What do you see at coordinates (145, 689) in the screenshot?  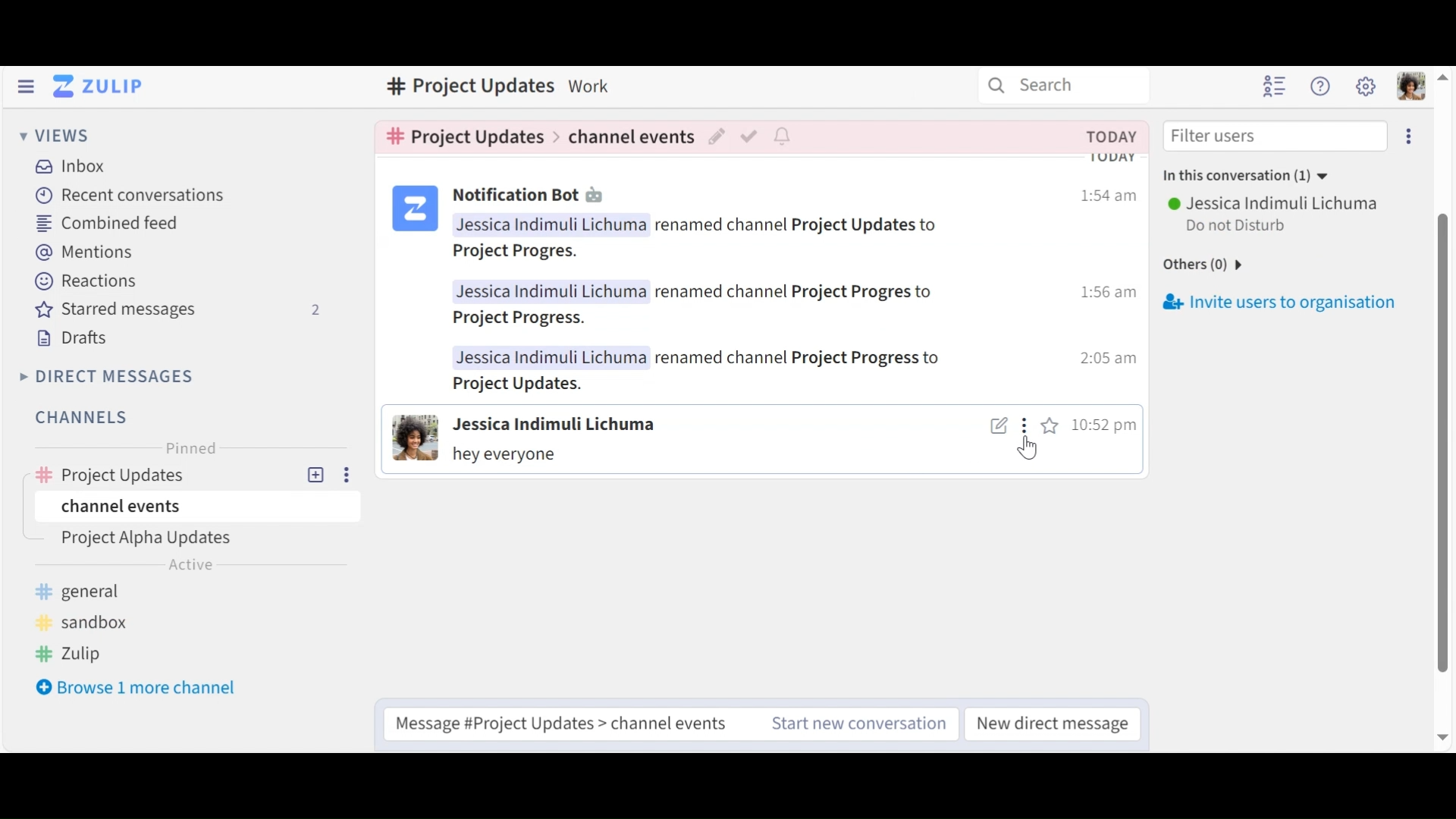 I see `Bowser 1 more channel` at bounding box center [145, 689].